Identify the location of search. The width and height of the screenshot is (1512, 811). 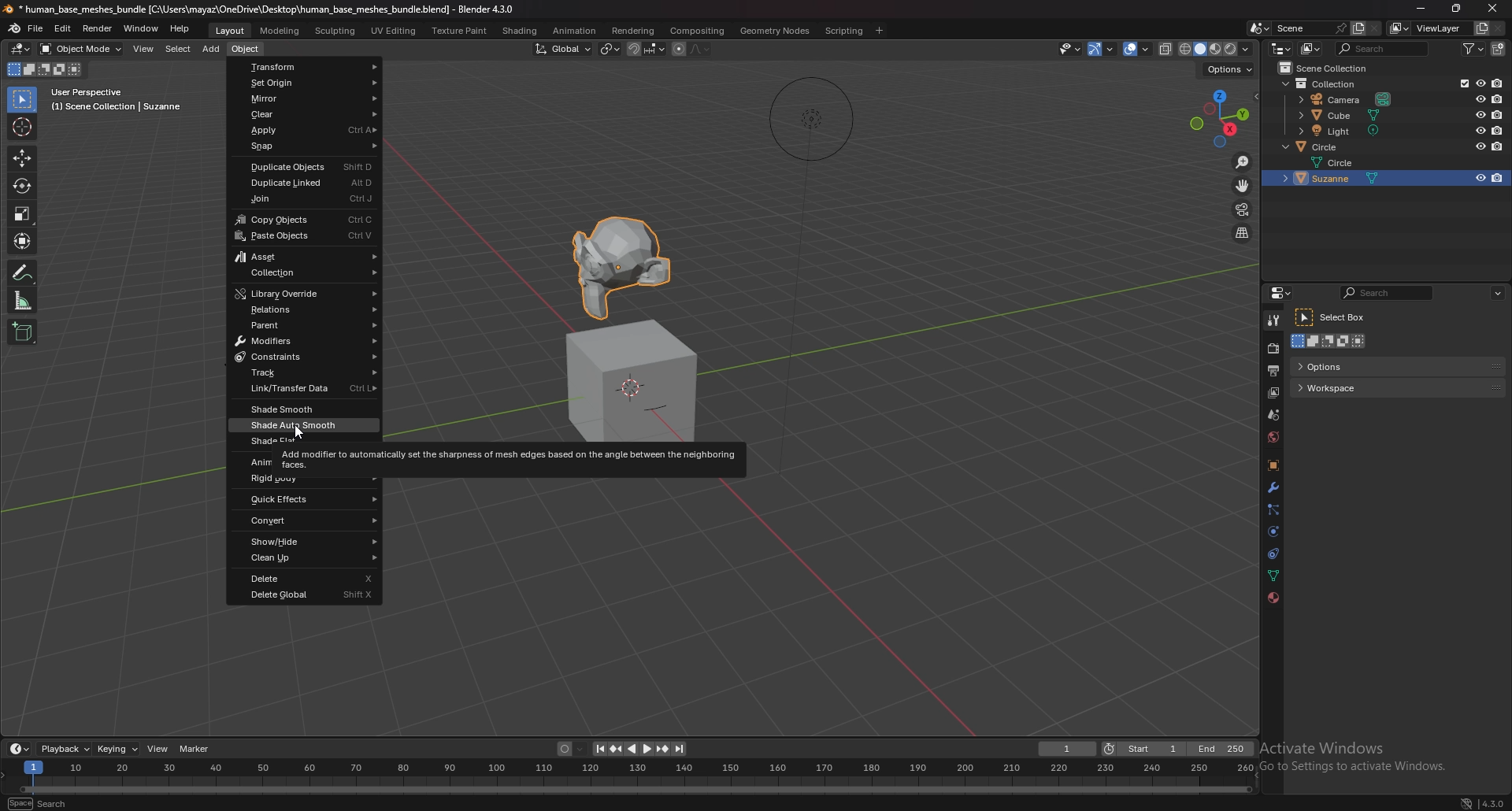
(1388, 293).